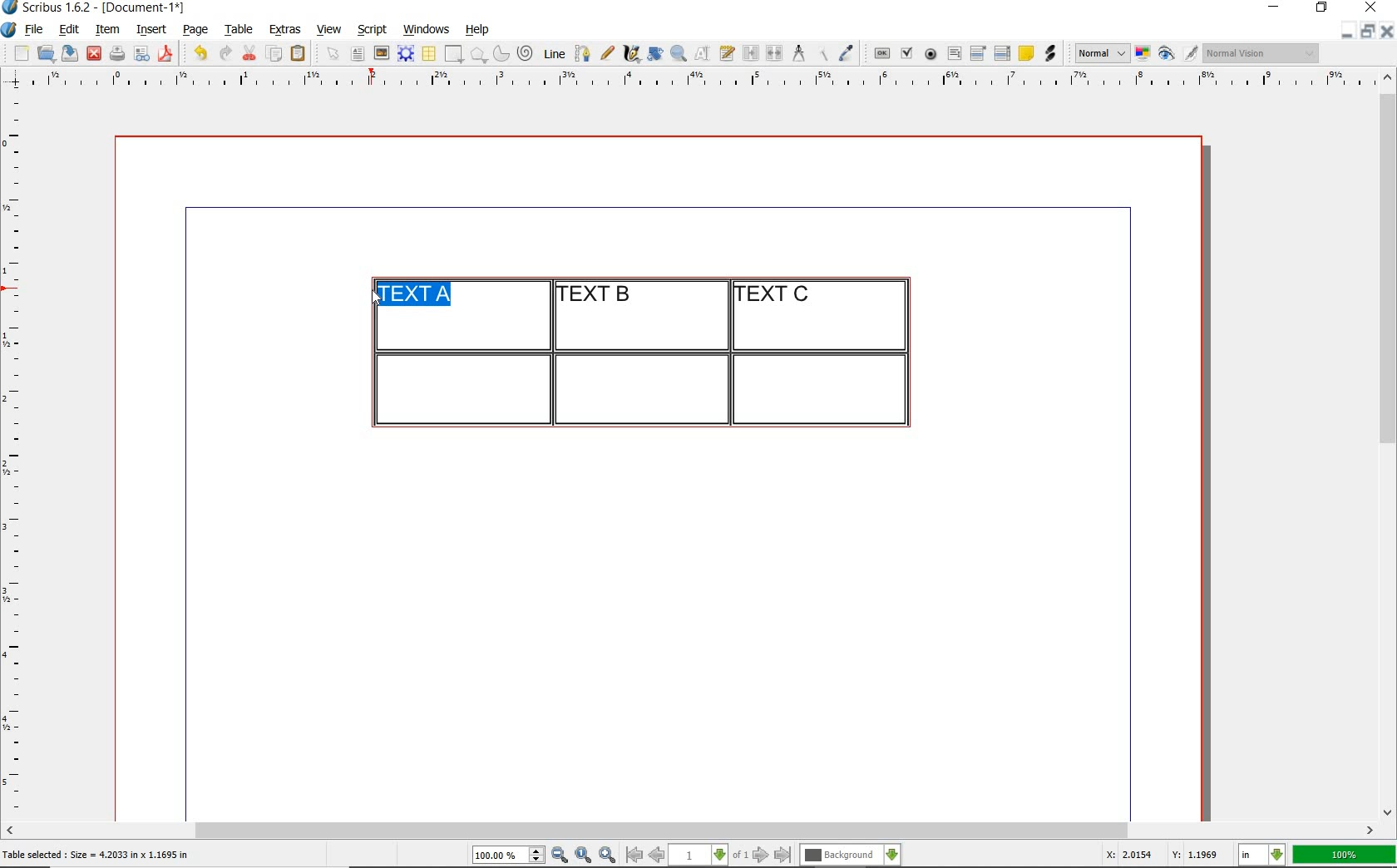 The width and height of the screenshot is (1397, 868). Describe the element at coordinates (1052, 53) in the screenshot. I see `link annotation` at that location.